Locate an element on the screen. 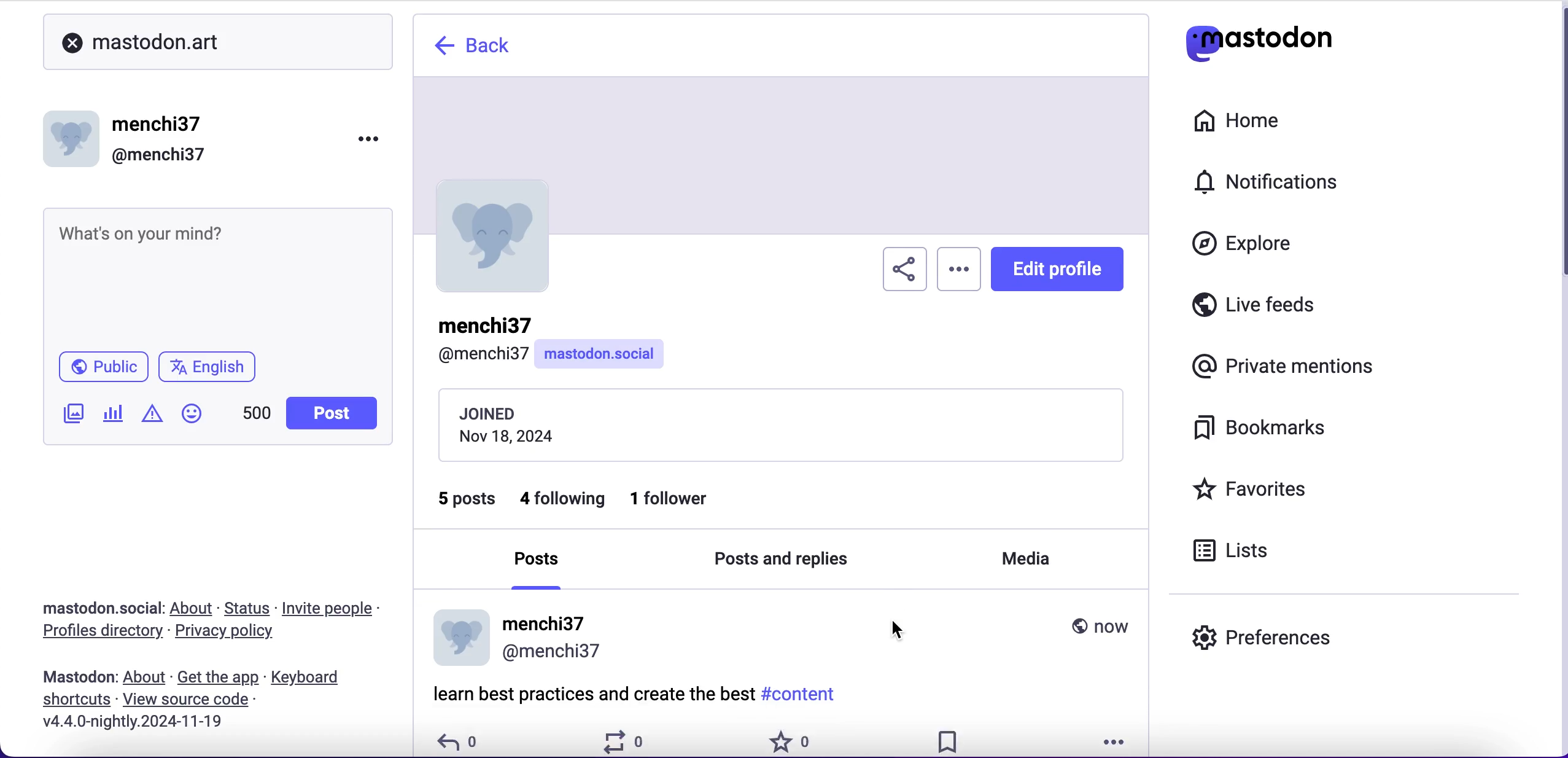  add warnings is located at coordinates (152, 418).